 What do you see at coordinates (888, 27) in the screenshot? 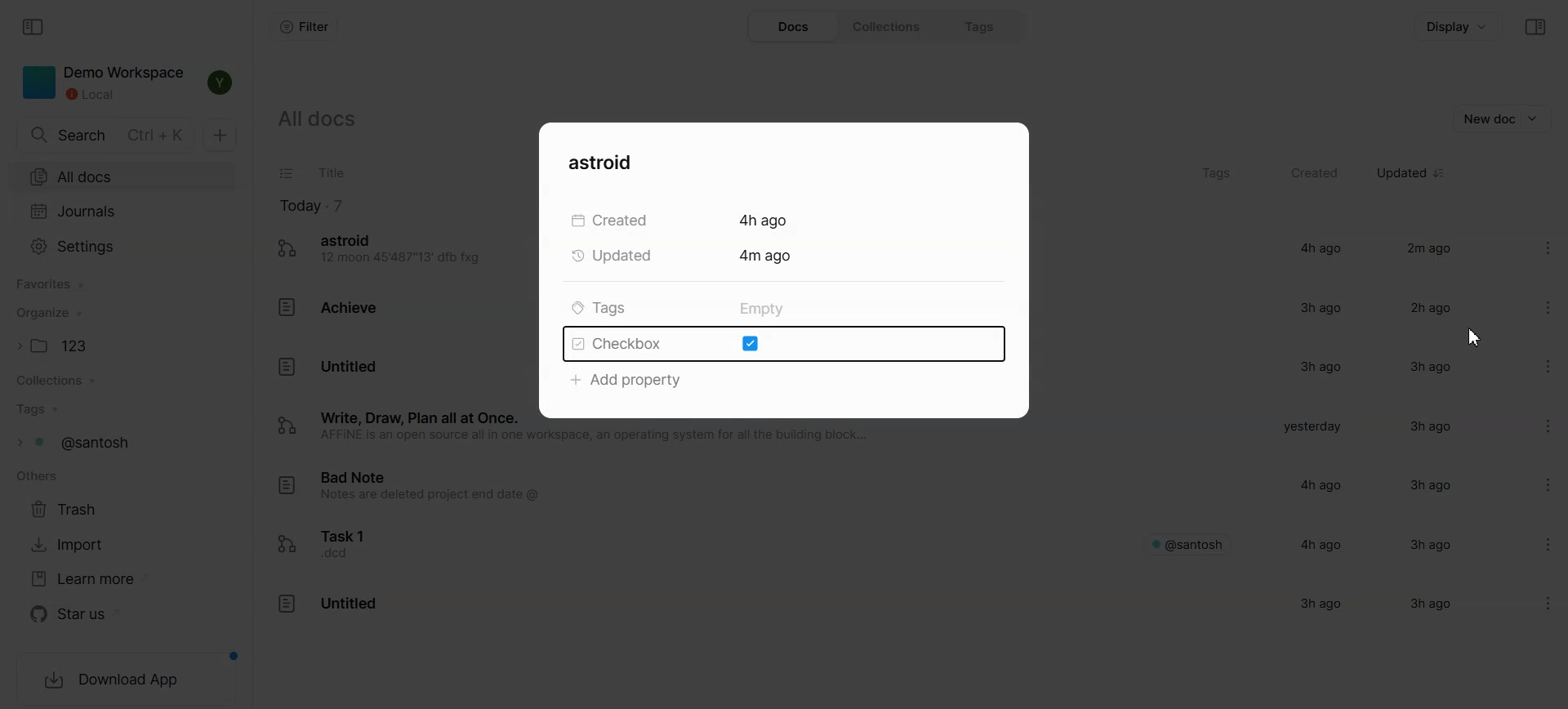
I see `Collections` at bounding box center [888, 27].